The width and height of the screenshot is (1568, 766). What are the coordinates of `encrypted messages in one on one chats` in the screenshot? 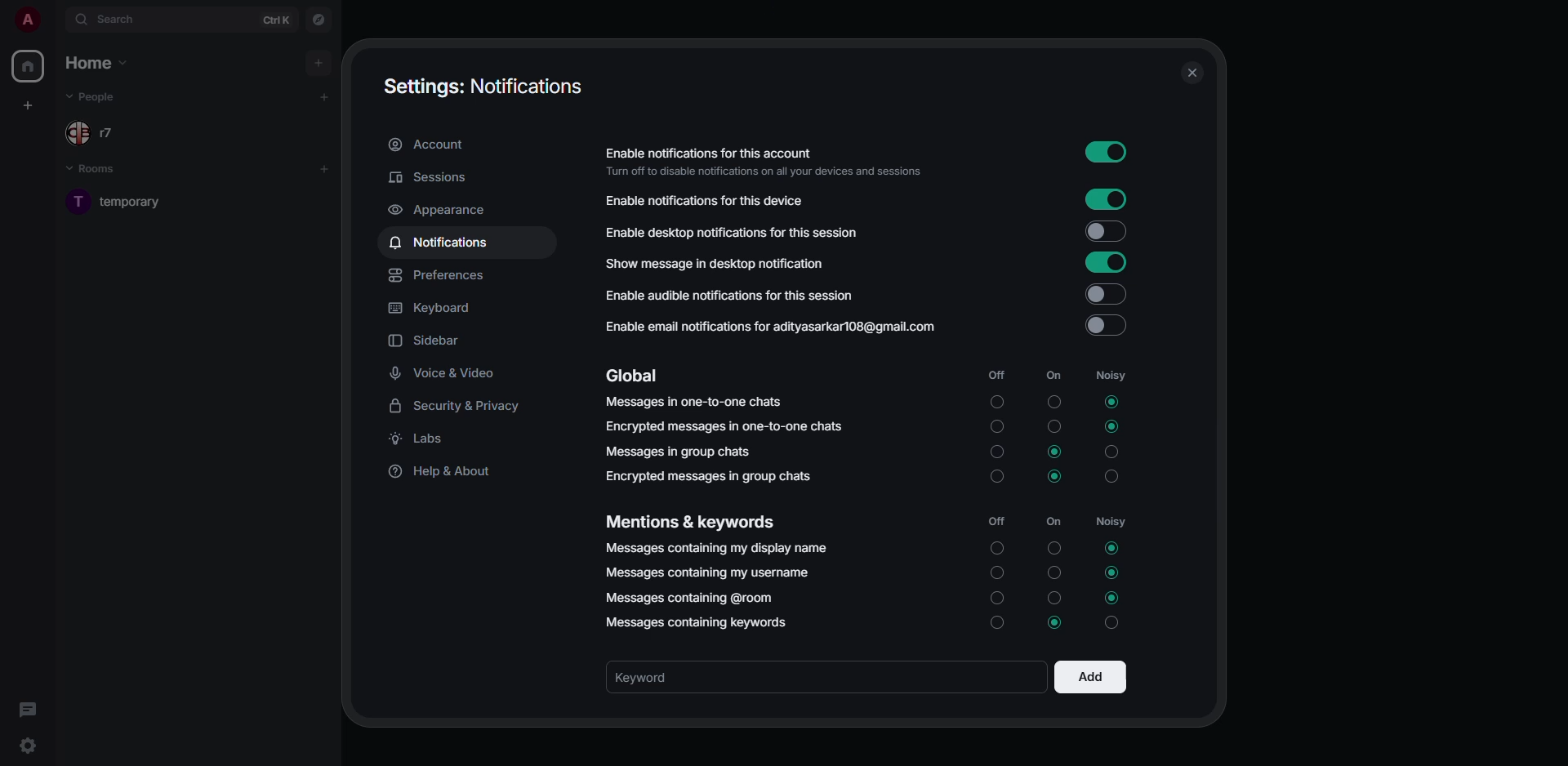 It's located at (727, 426).